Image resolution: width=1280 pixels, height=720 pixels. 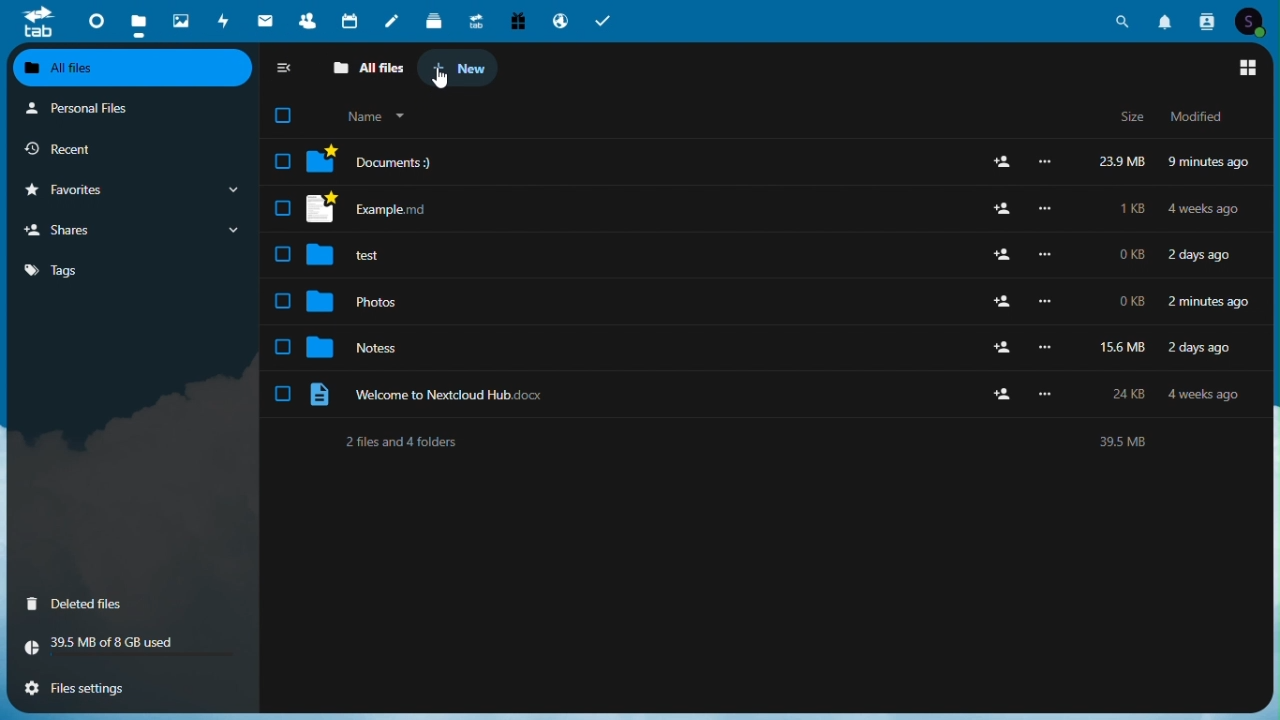 What do you see at coordinates (284, 69) in the screenshot?
I see `Collapse sidebar` at bounding box center [284, 69].